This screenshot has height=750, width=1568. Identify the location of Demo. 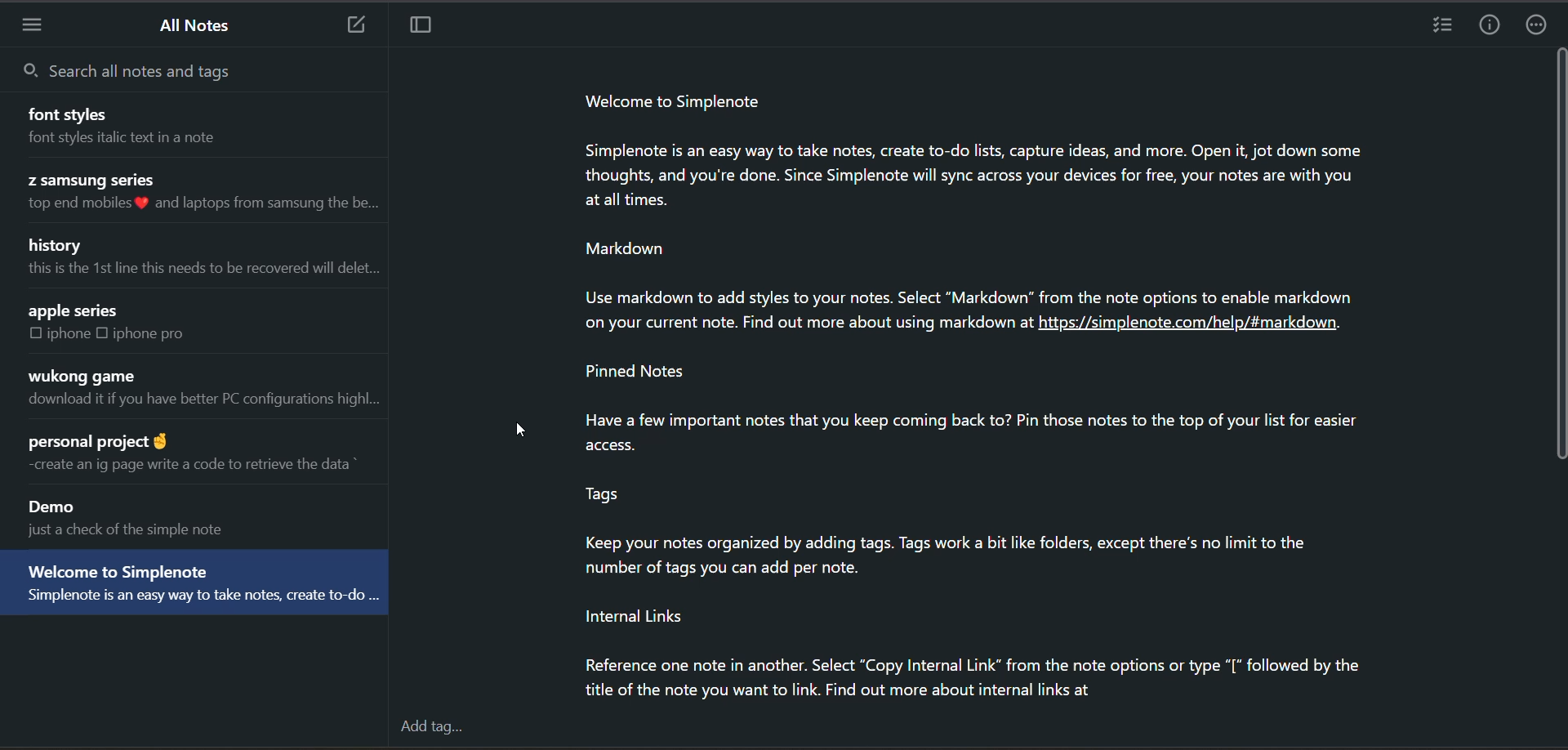
(53, 506).